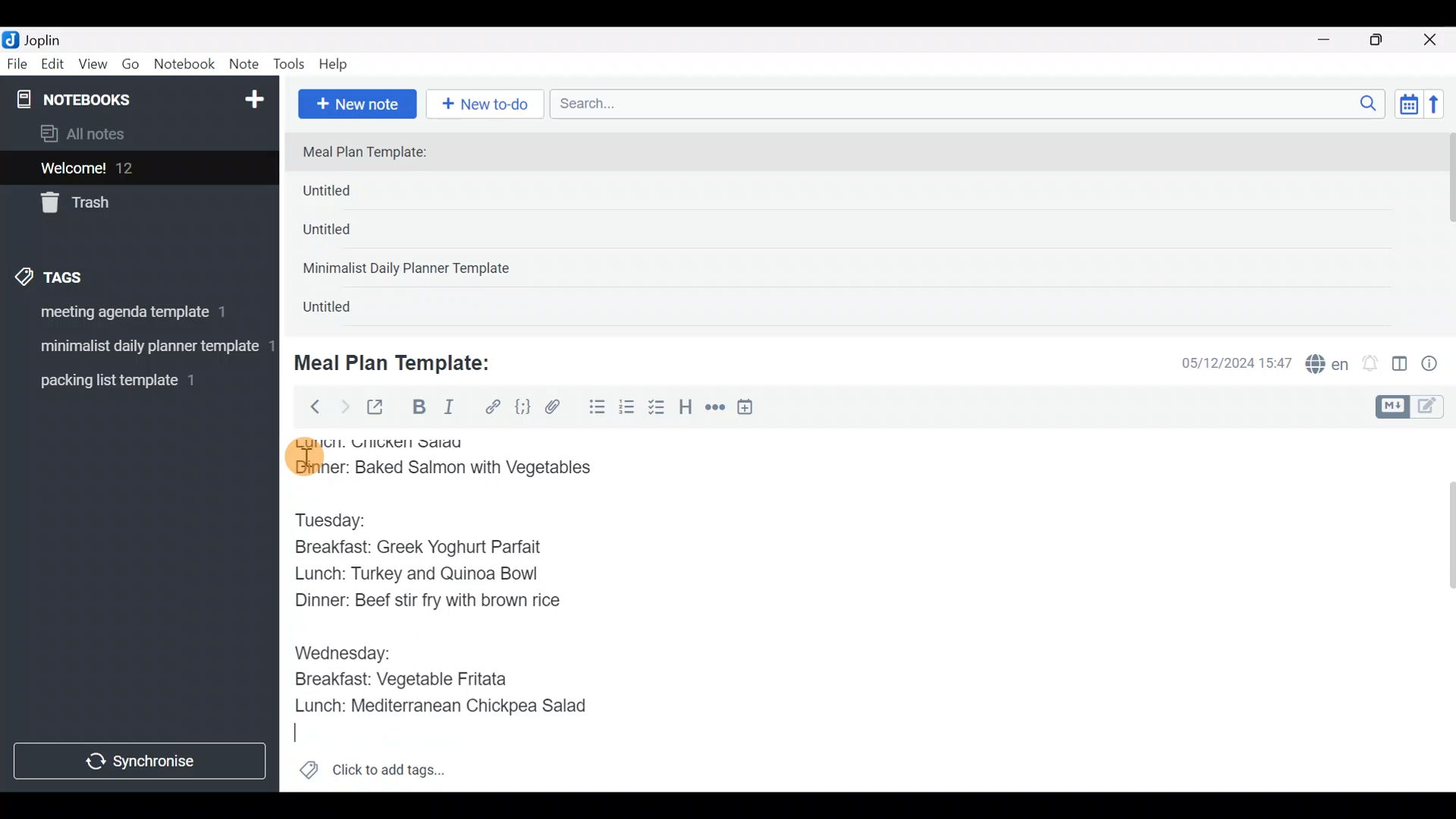 This screenshot has width=1456, height=819. Describe the element at coordinates (402, 361) in the screenshot. I see `Meal Plan Template:` at that location.